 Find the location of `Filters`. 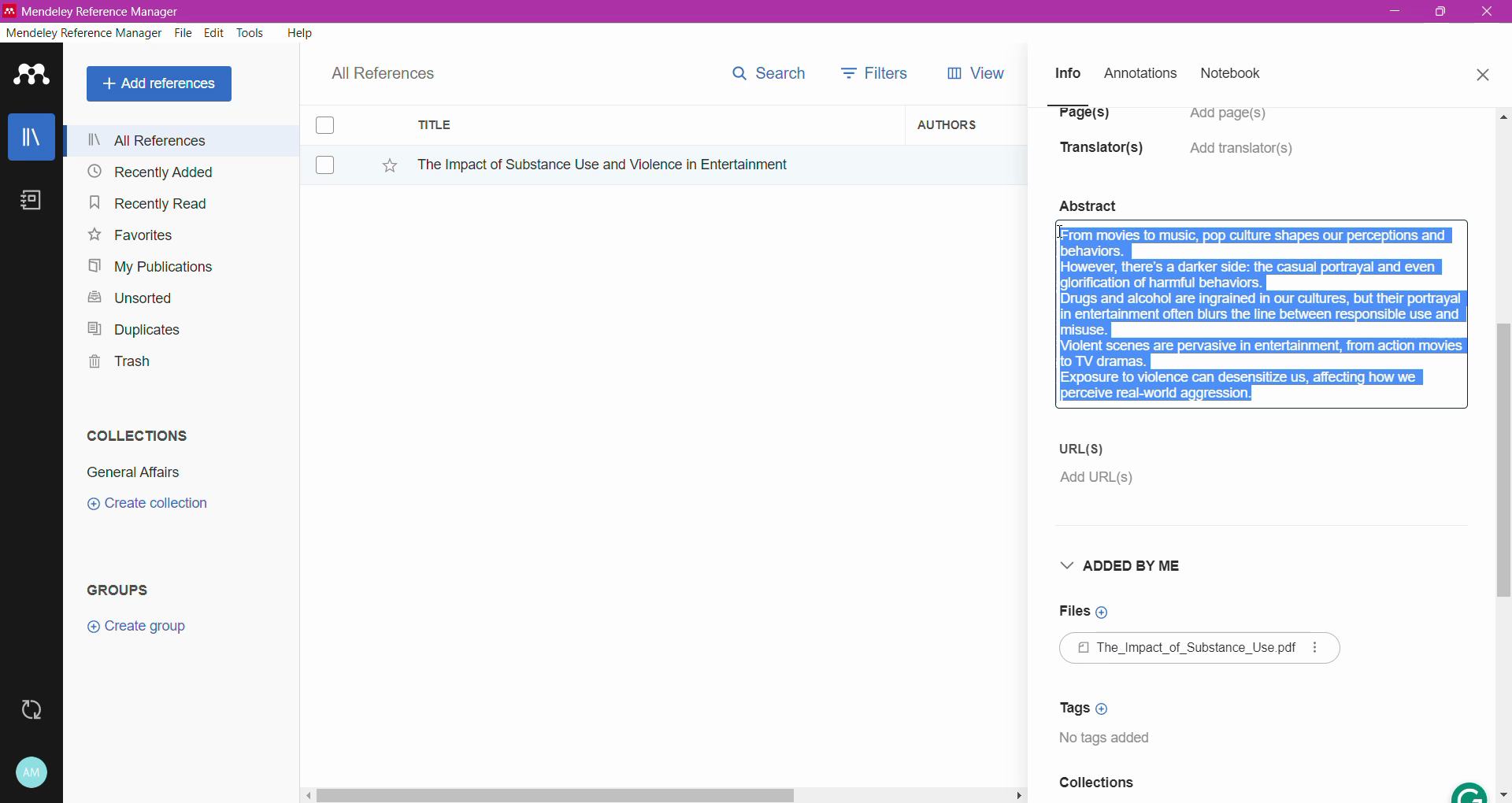

Filters is located at coordinates (879, 72).